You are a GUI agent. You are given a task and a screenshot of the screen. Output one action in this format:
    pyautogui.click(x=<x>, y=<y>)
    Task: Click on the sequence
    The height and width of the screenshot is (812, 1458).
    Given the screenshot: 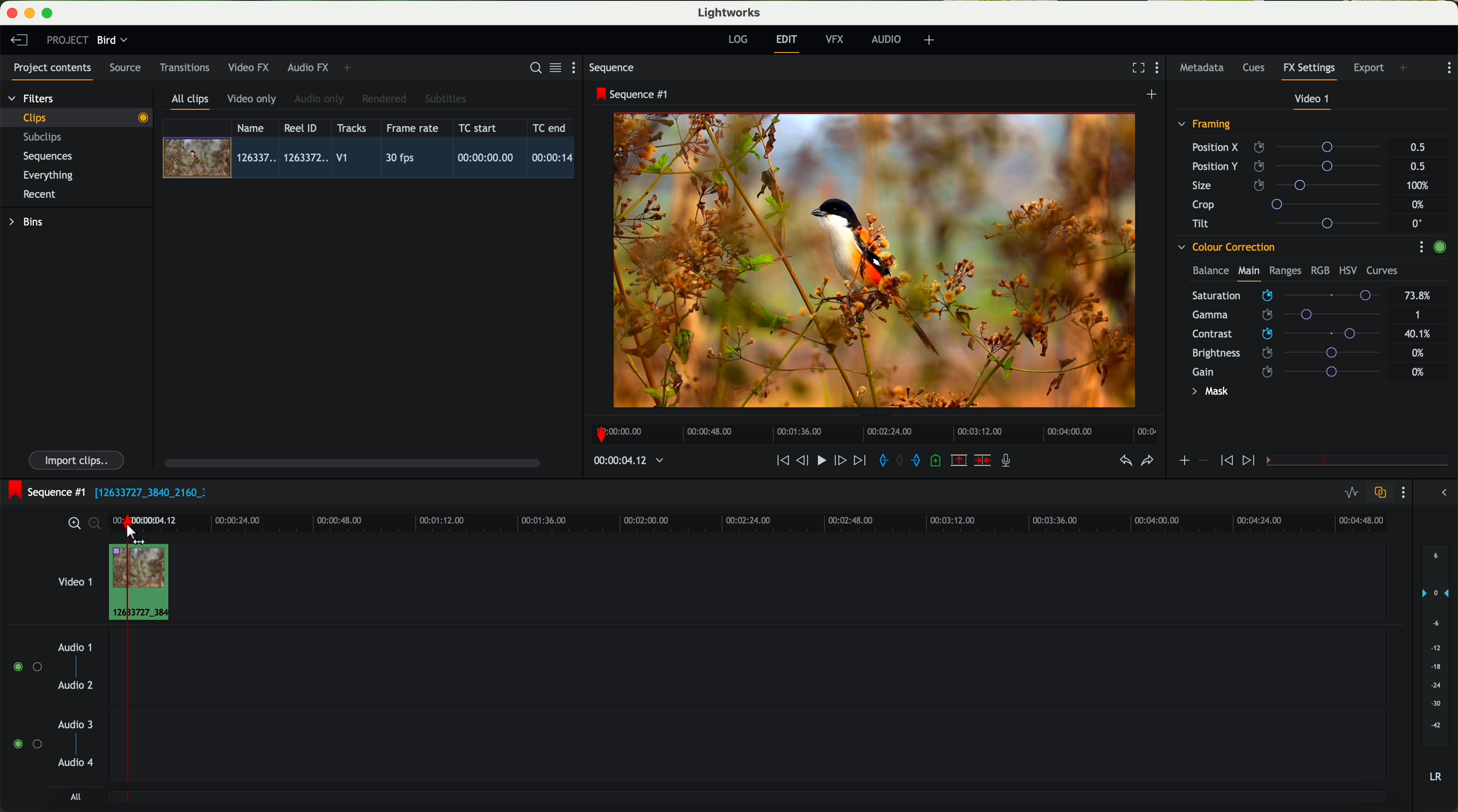 What is the action you would take?
    pyautogui.click(x=612, y=68)
    